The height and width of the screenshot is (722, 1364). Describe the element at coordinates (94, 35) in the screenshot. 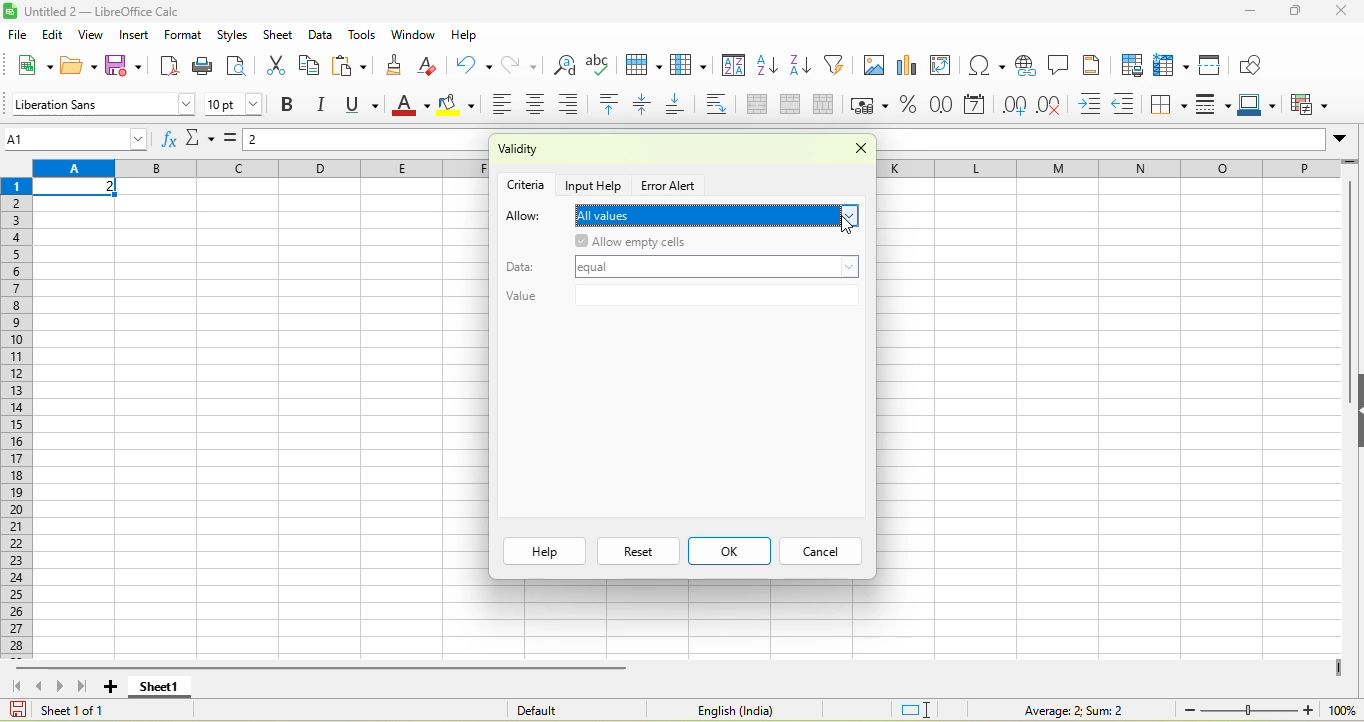

I see `view` at that location.